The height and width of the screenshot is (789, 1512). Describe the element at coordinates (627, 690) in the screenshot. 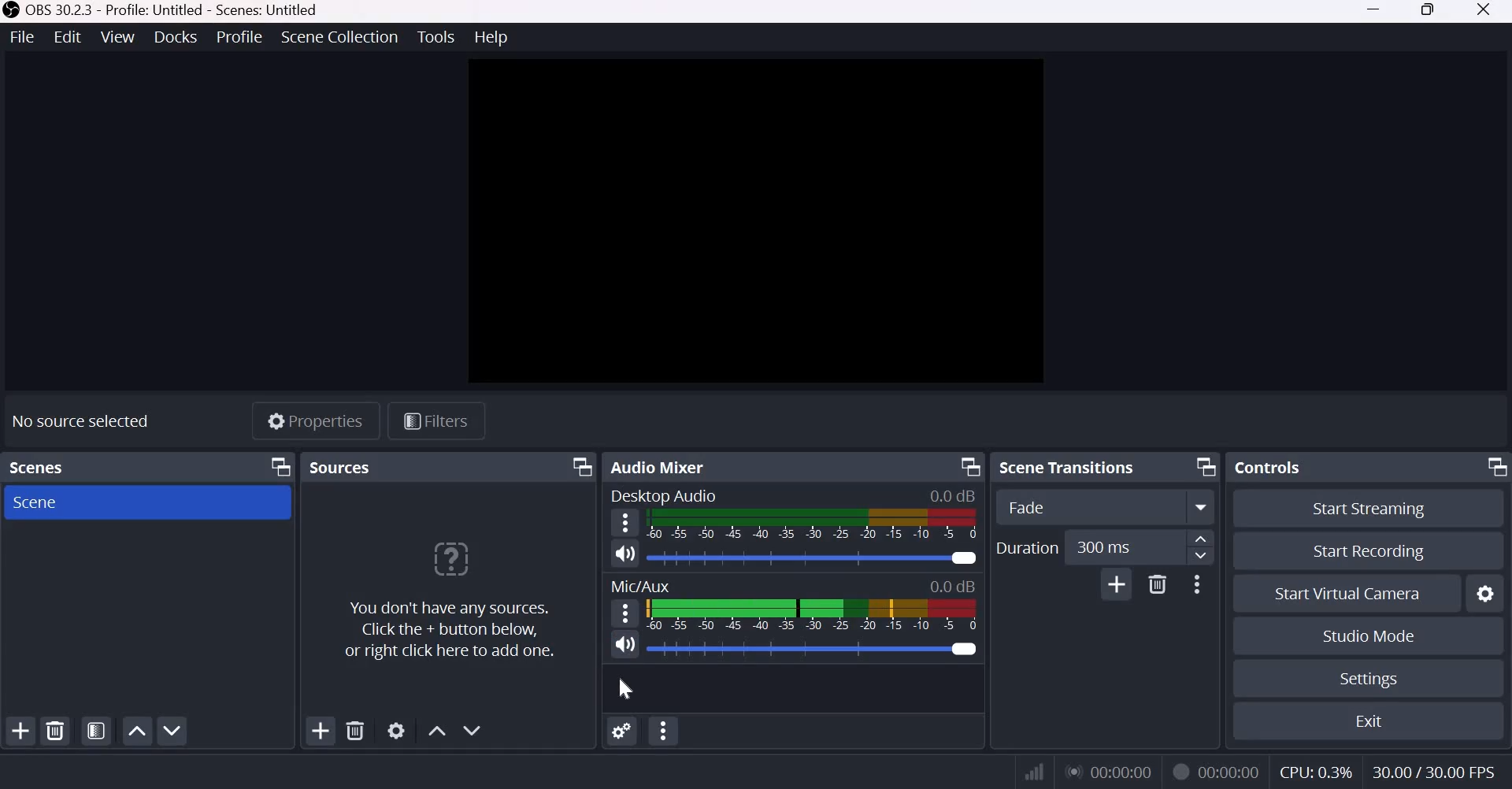

I see `cursor` at that location.